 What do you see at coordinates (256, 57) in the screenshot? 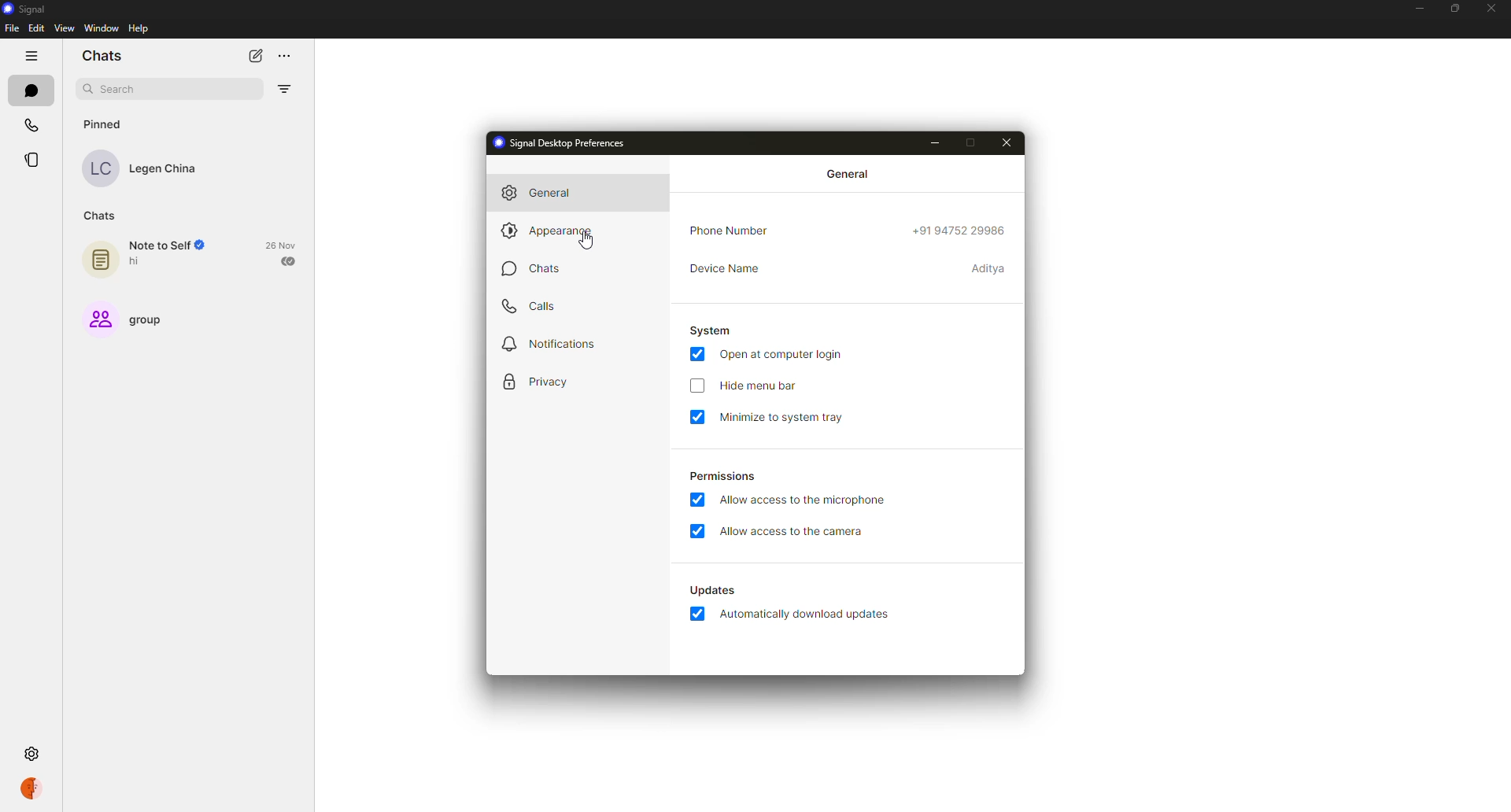
I see `new chat` at bounding box center [256, 57].